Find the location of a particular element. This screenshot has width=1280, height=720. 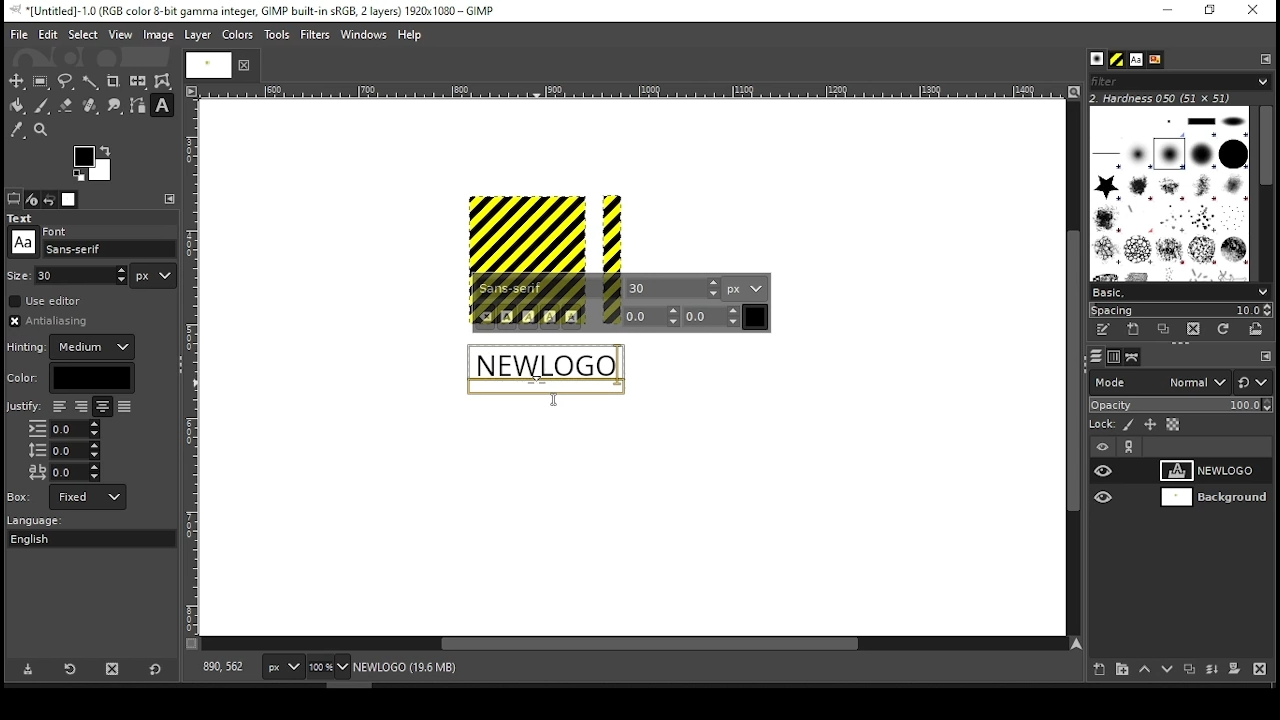

indentation of first line is located at coordinates (64, 429).